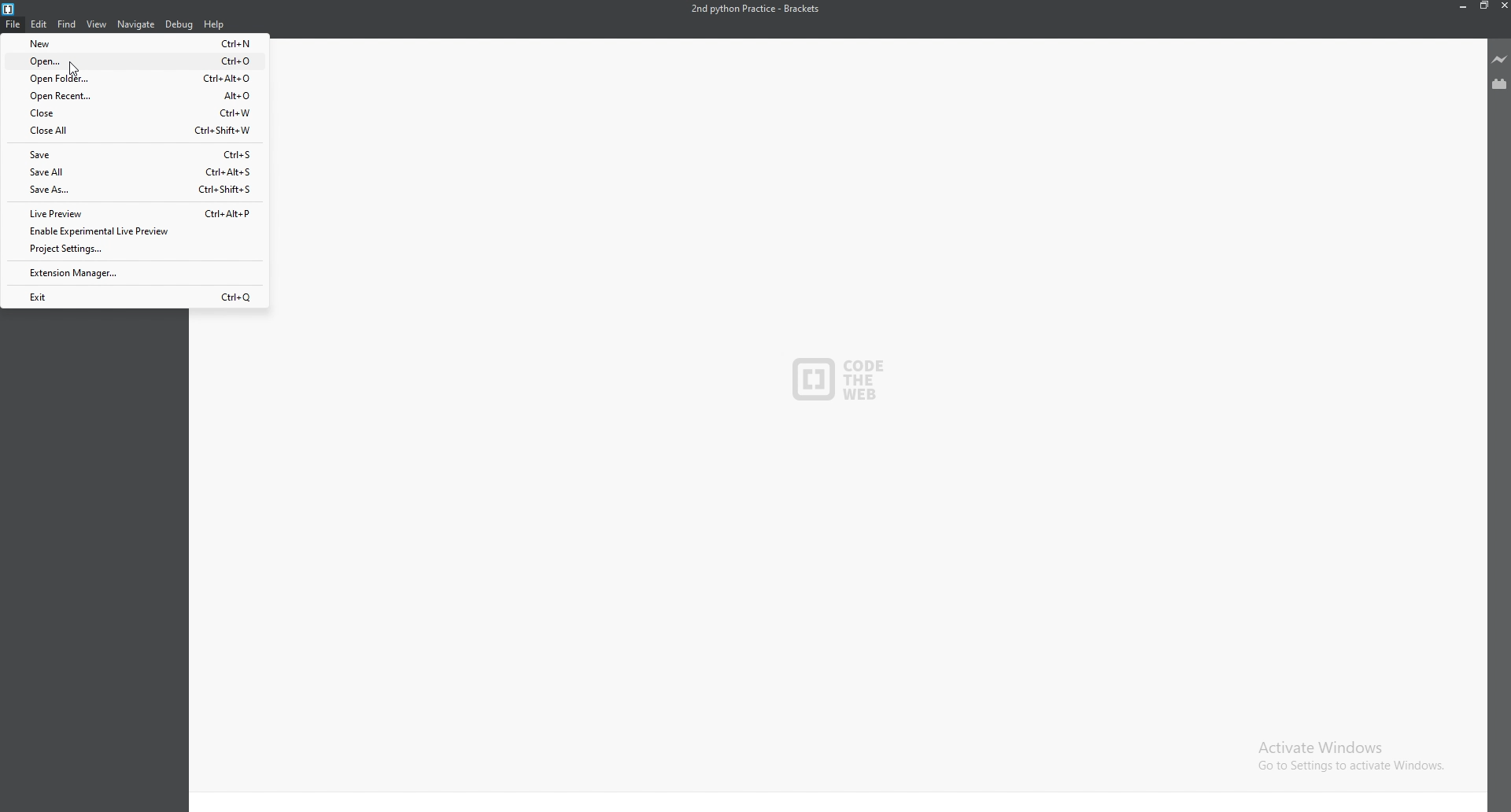 The width and height of the screenshot is (1511, 812). Describe the element at coordinates (1464, 6) in the screenshot. I see `minimize` at that location.